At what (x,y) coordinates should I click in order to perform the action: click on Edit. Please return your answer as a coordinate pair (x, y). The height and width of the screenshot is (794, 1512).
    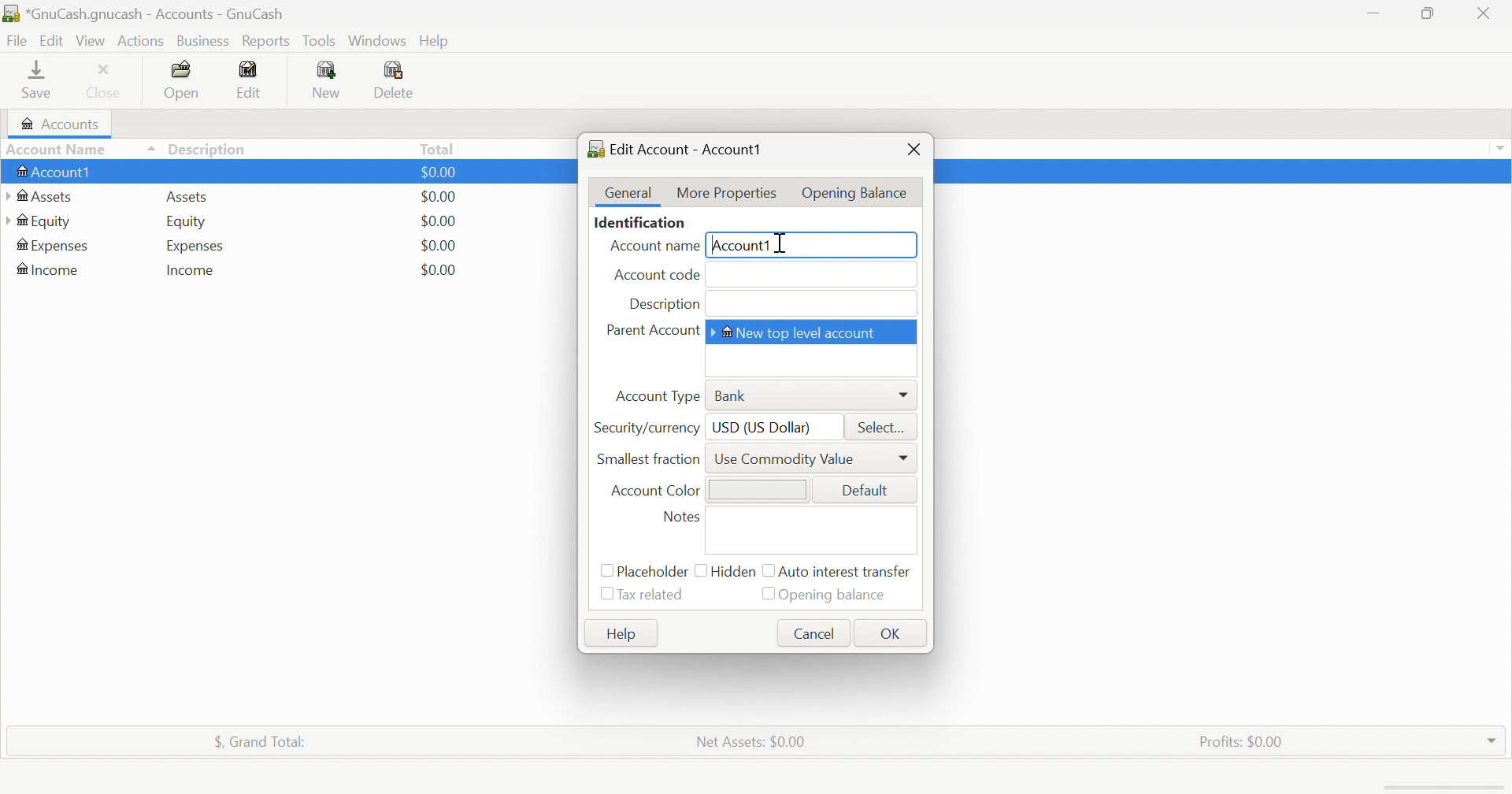
    Looking at the image, I should click on (254, 80).